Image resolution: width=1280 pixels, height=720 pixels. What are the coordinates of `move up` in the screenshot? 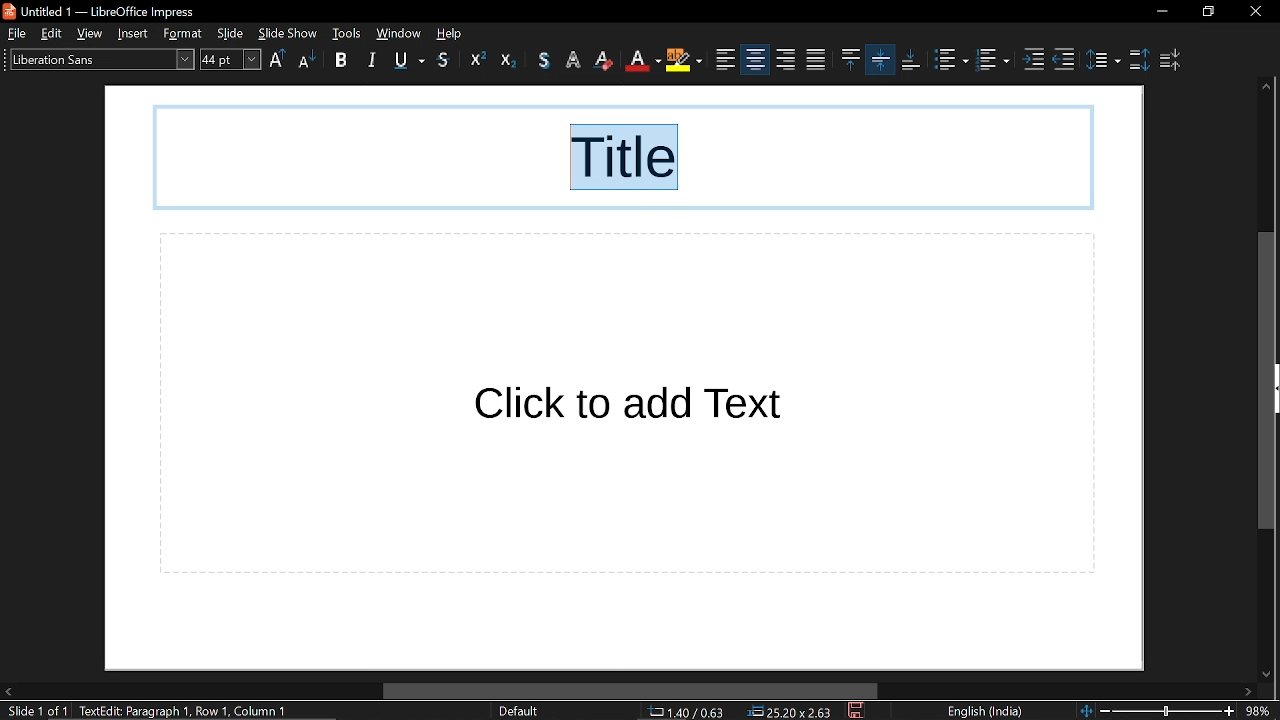 It's located at (1265, 88).